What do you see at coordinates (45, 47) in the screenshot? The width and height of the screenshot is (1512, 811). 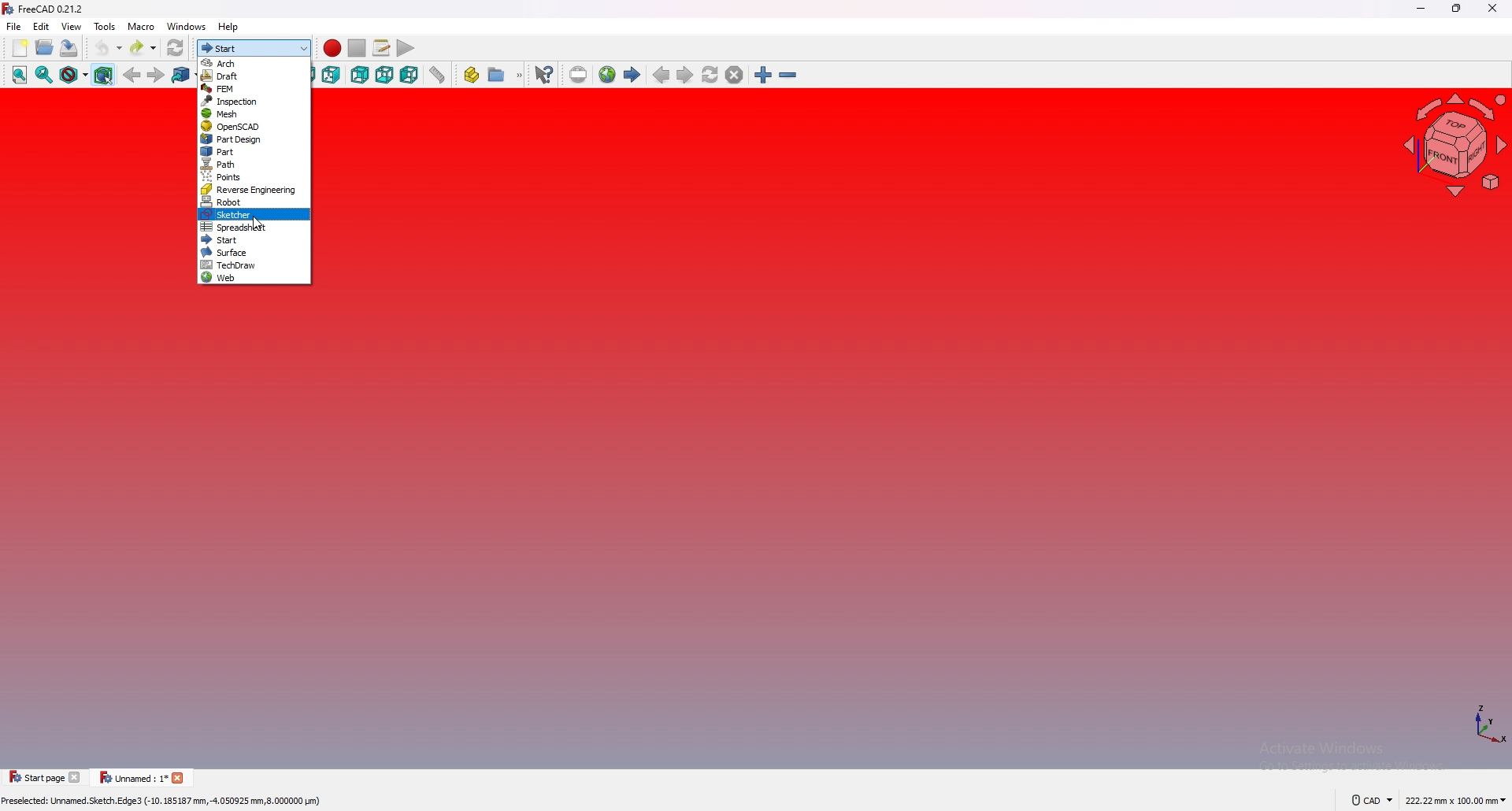 I see `open` at bounding box center [45, 47].